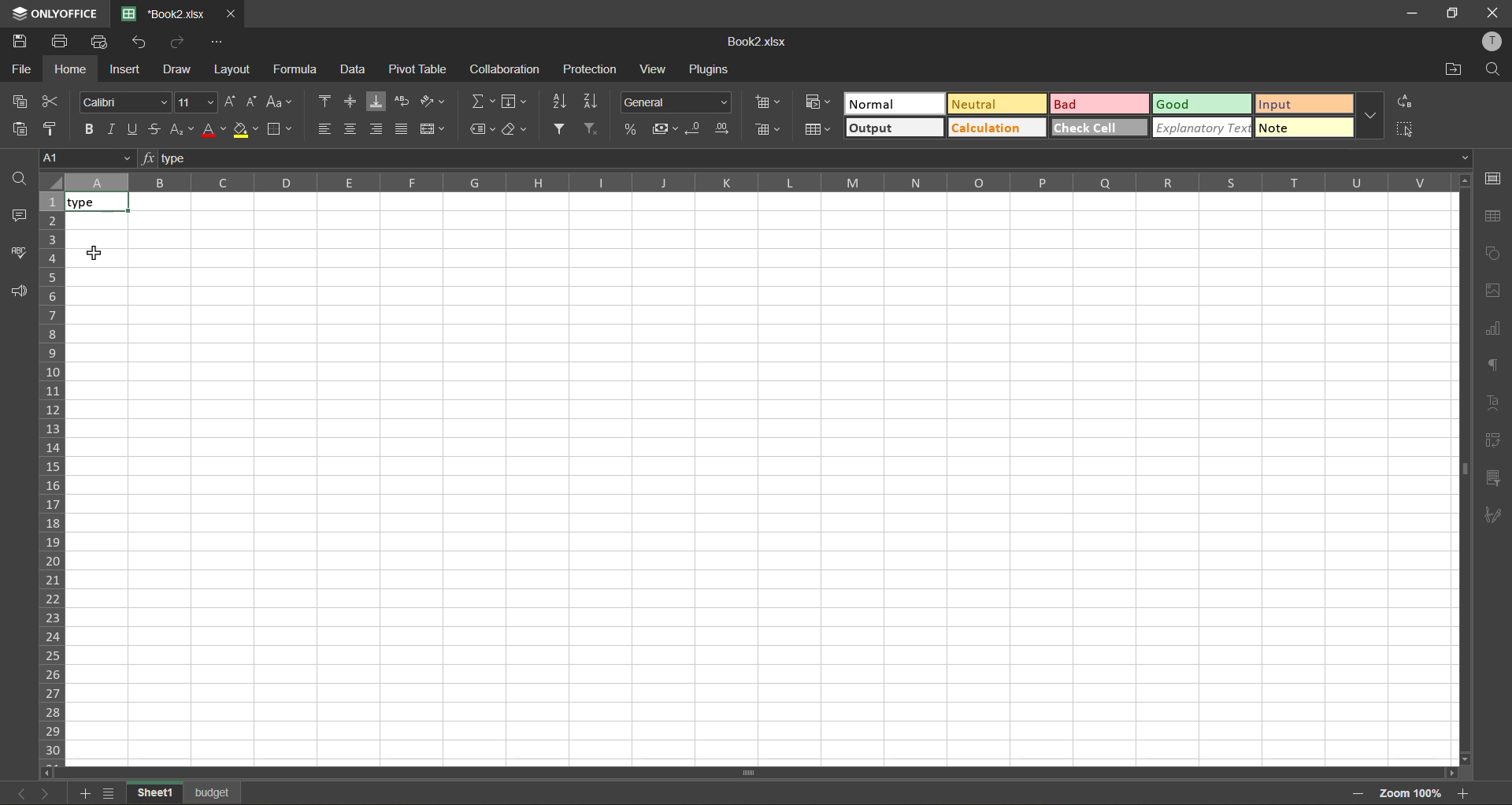 The height and width of the screenshot is (805, 1512). Describe the element at coordinates (150, 792) in the screenshot. I see `sheet names` at that location.